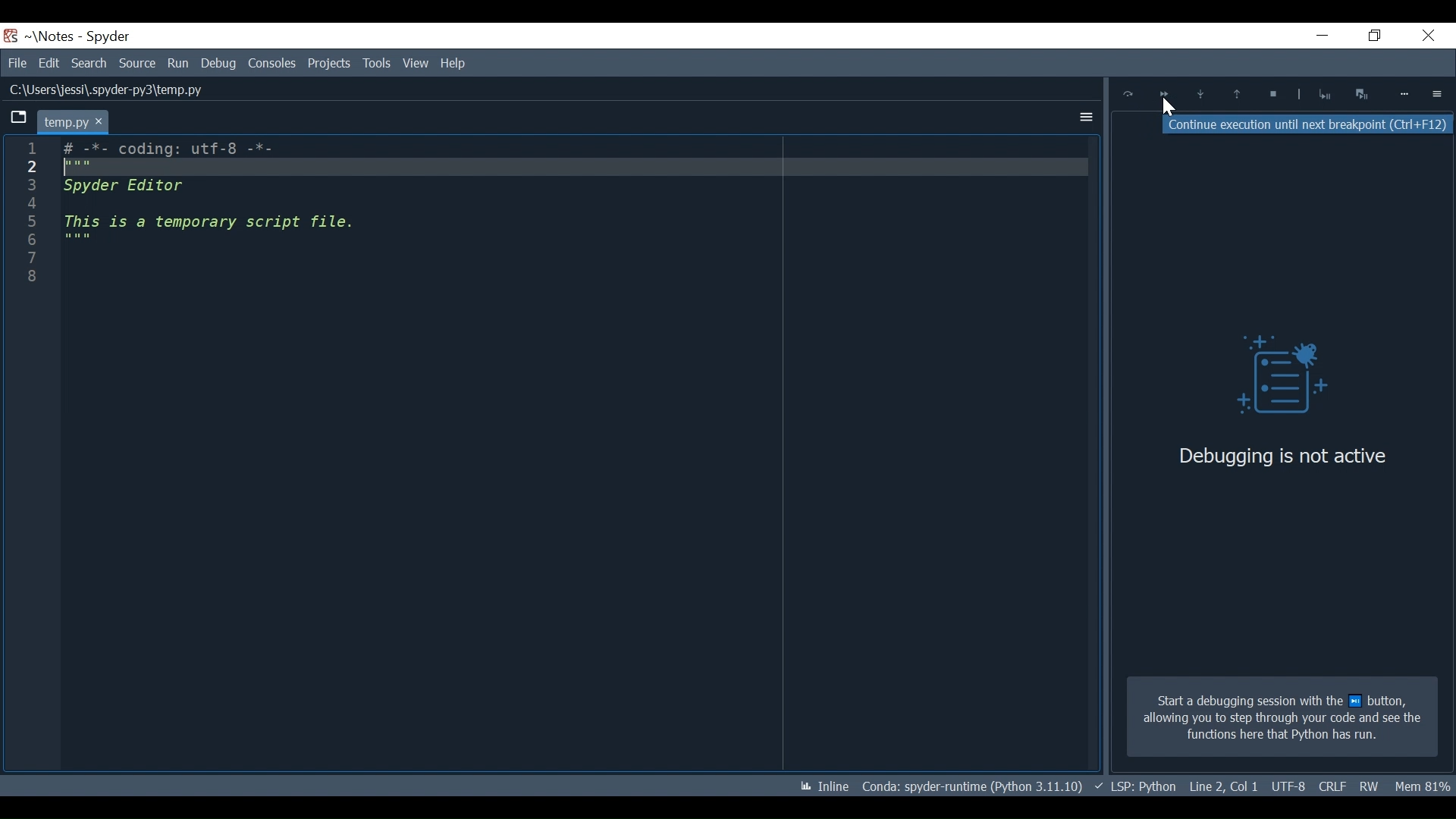  I want to click on Options, so click(1438, 93).